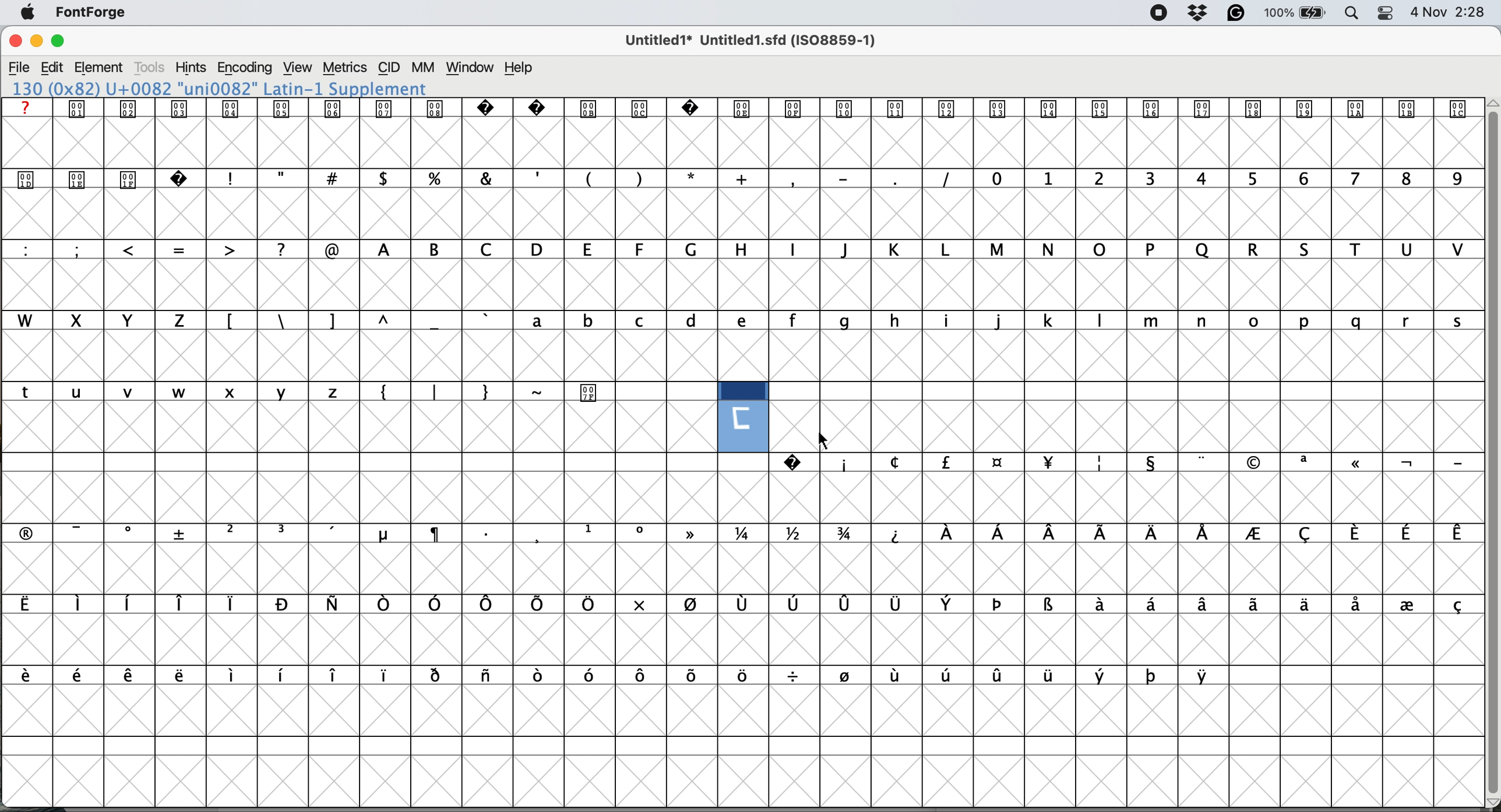  Describe the element at coordinates (1160, 13) in the screenshot. I see `screen recorder` at that location.